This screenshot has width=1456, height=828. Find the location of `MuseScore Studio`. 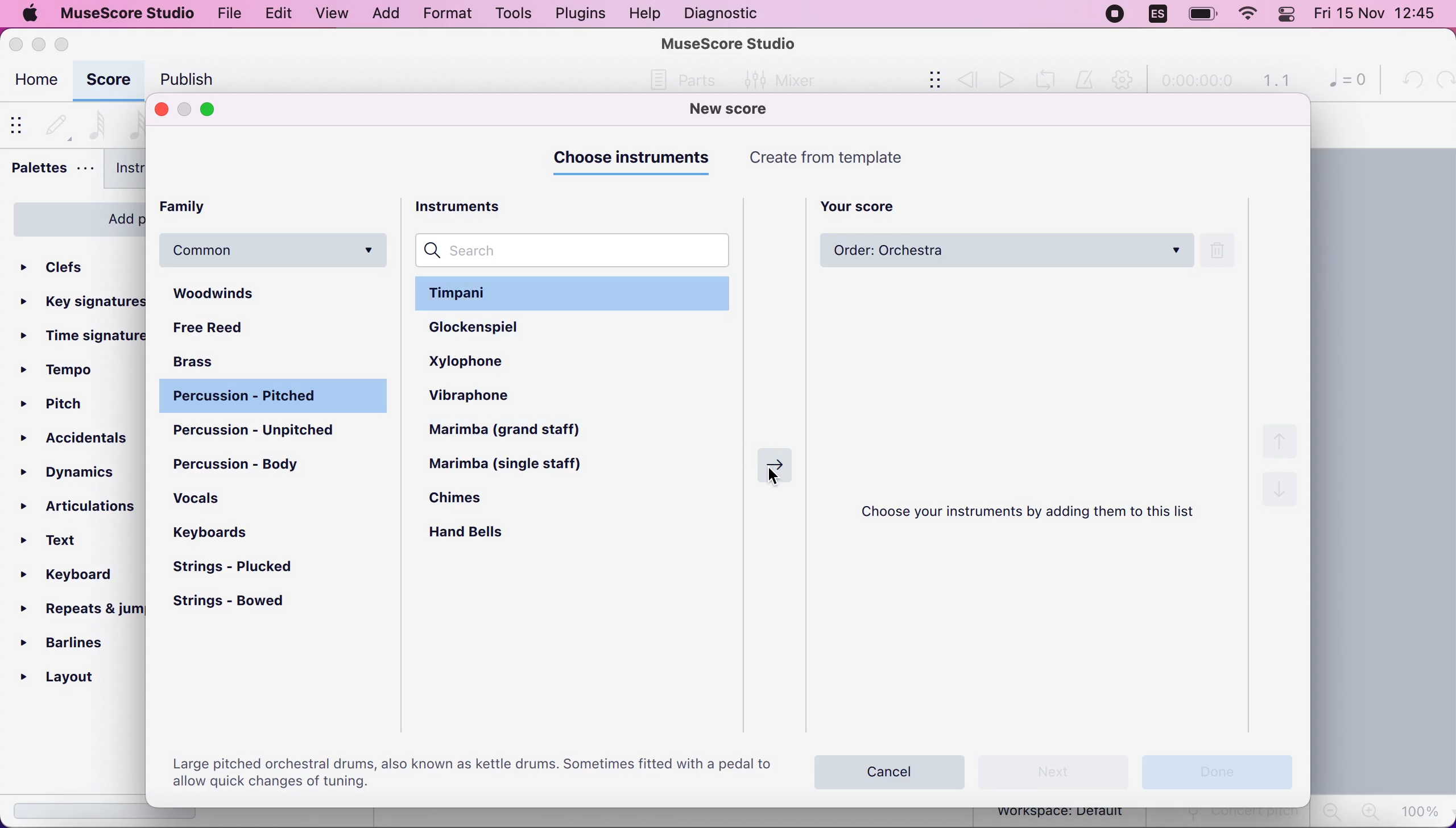

MuseScore Studio is located at coordinates (729, 43).